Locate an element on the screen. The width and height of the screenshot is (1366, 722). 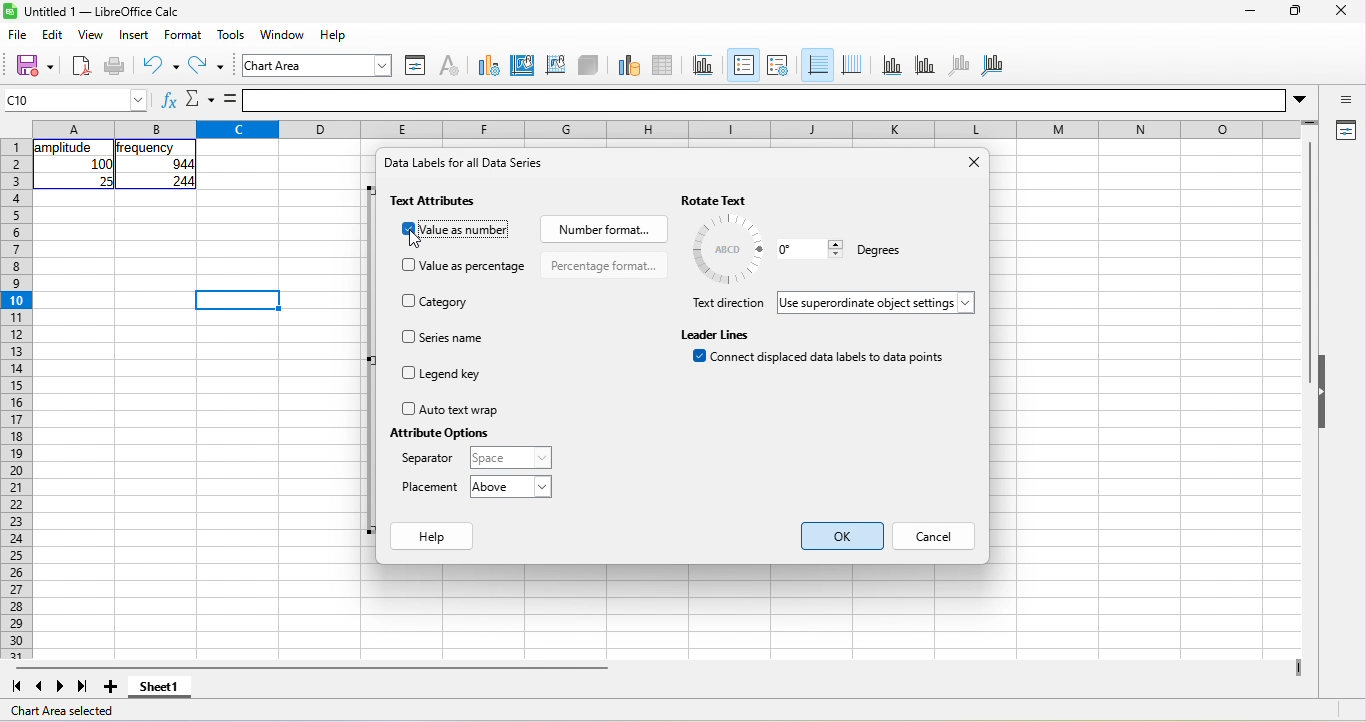
previous sheet is located at coordinates (35, 687).